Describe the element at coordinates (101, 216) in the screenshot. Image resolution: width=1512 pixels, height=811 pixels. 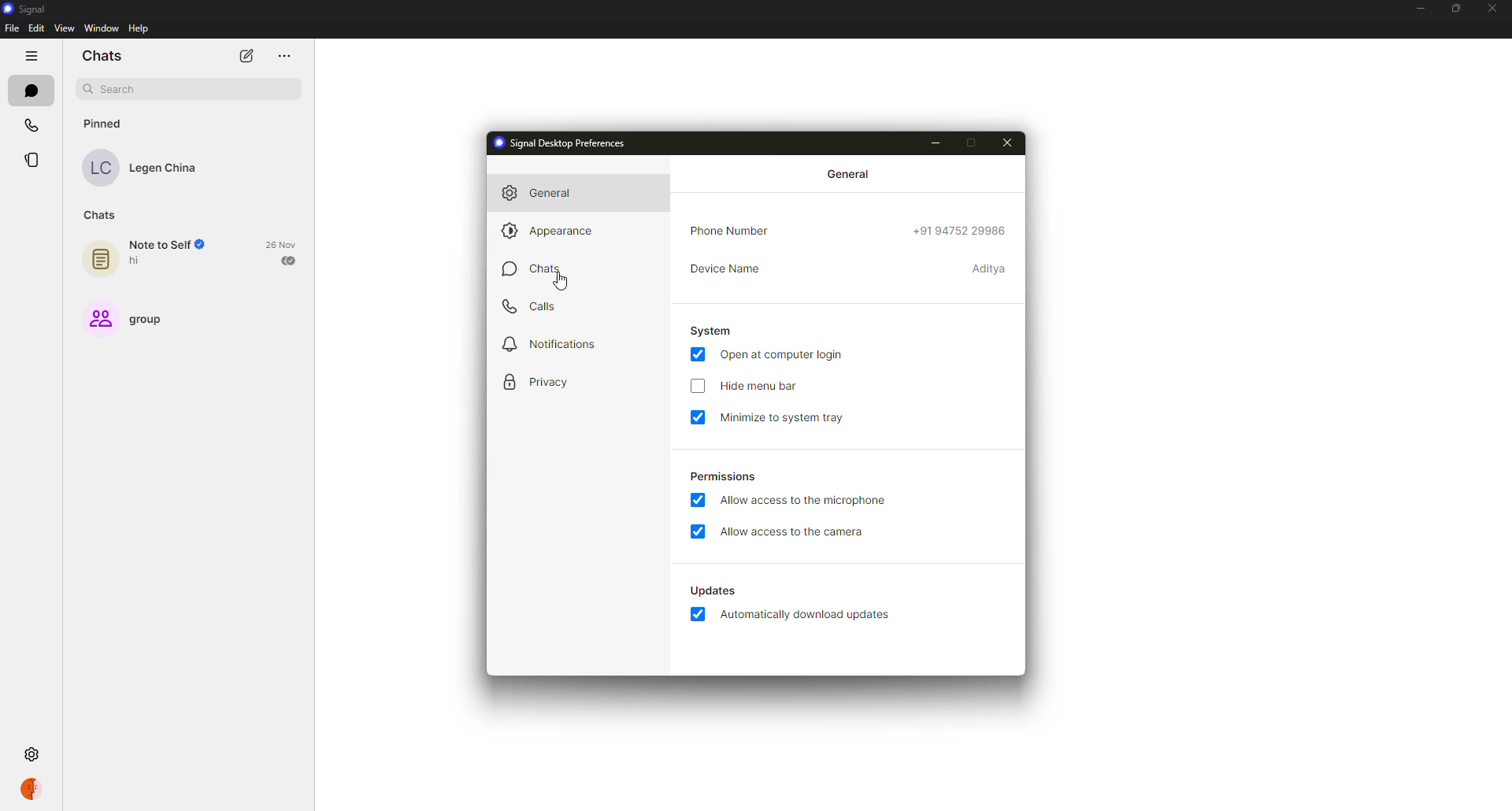
I see `chats` at that location.